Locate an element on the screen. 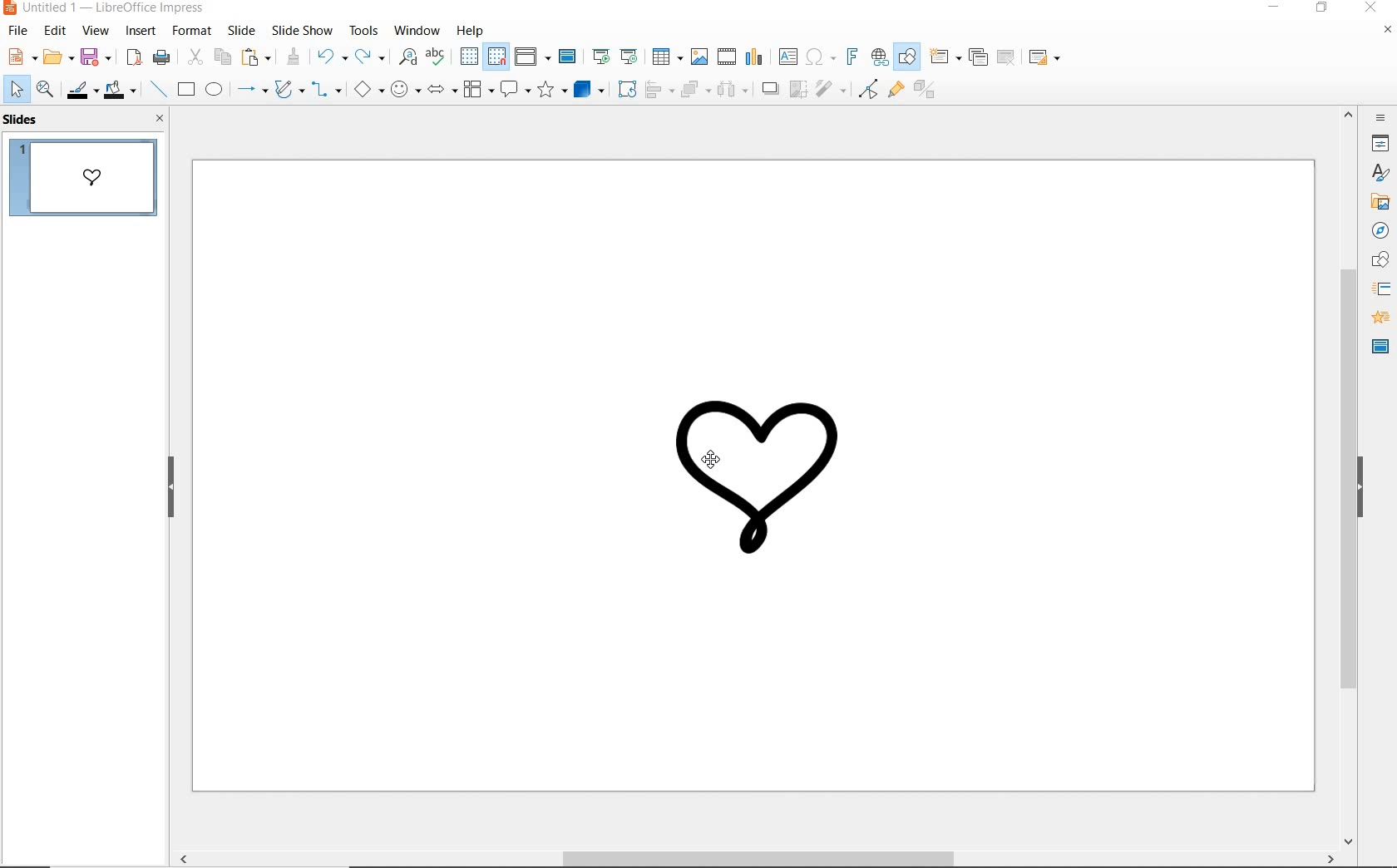  GALLERY is located at coordinates (1381, 202).